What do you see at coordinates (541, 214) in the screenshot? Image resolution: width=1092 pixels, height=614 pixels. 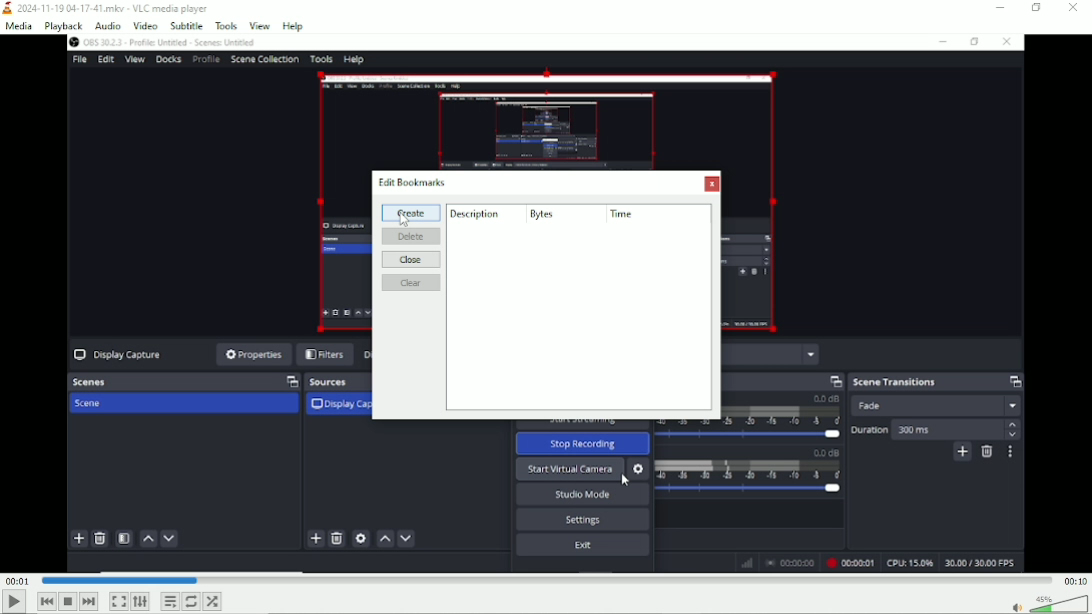 I see `Bytes` at bounding box center [541, 214].